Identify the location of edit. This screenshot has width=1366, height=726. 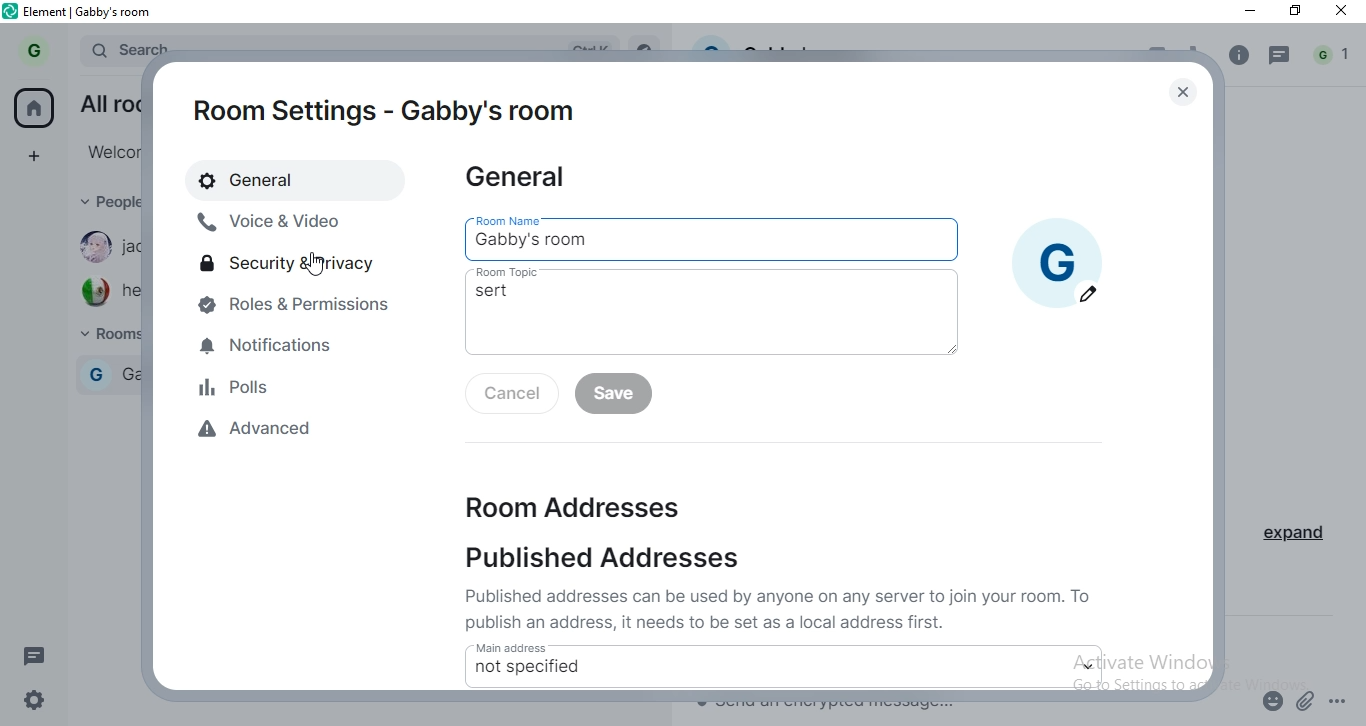
(1096, 296).